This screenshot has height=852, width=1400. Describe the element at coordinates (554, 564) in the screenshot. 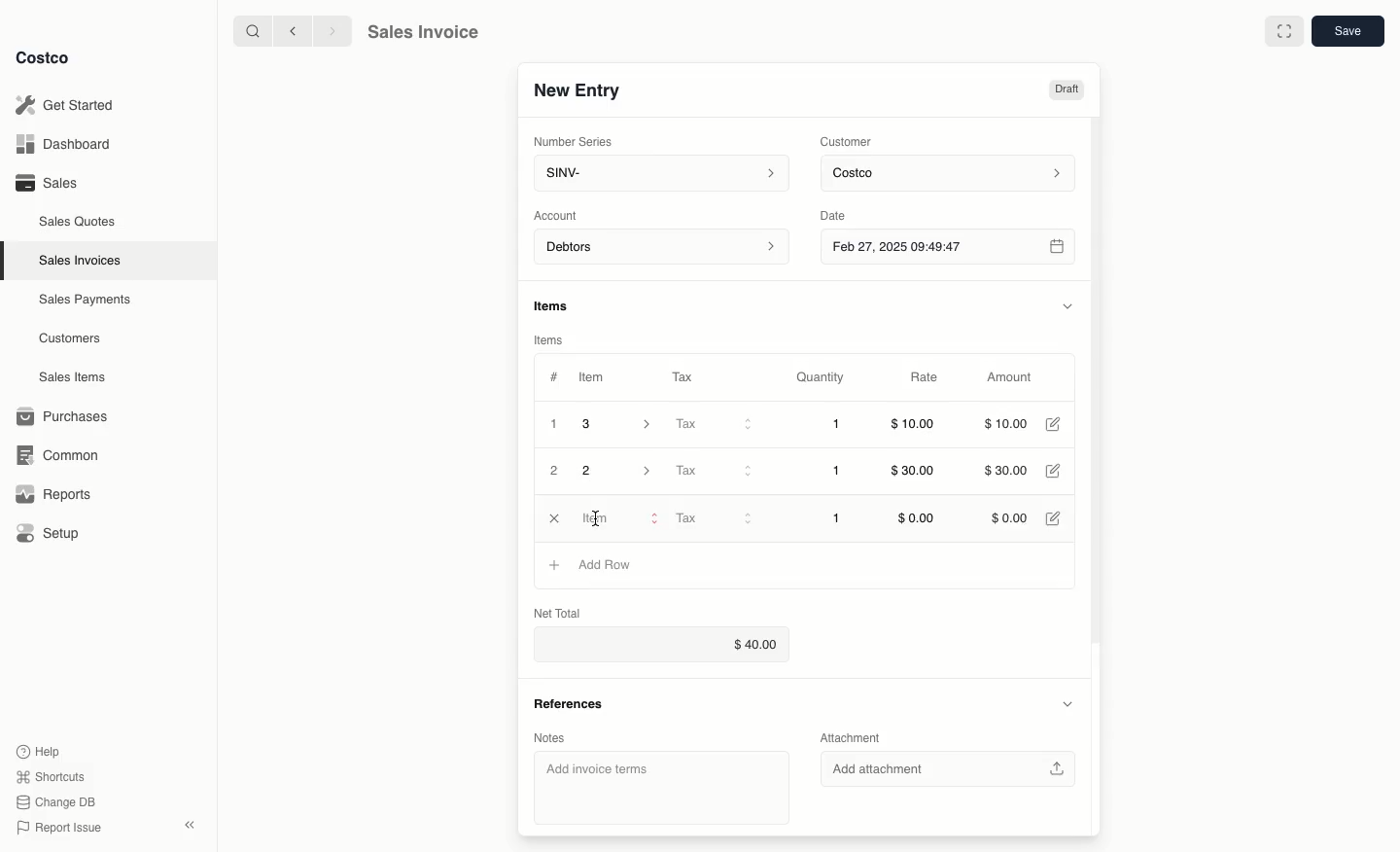

I see `Add` at that location.